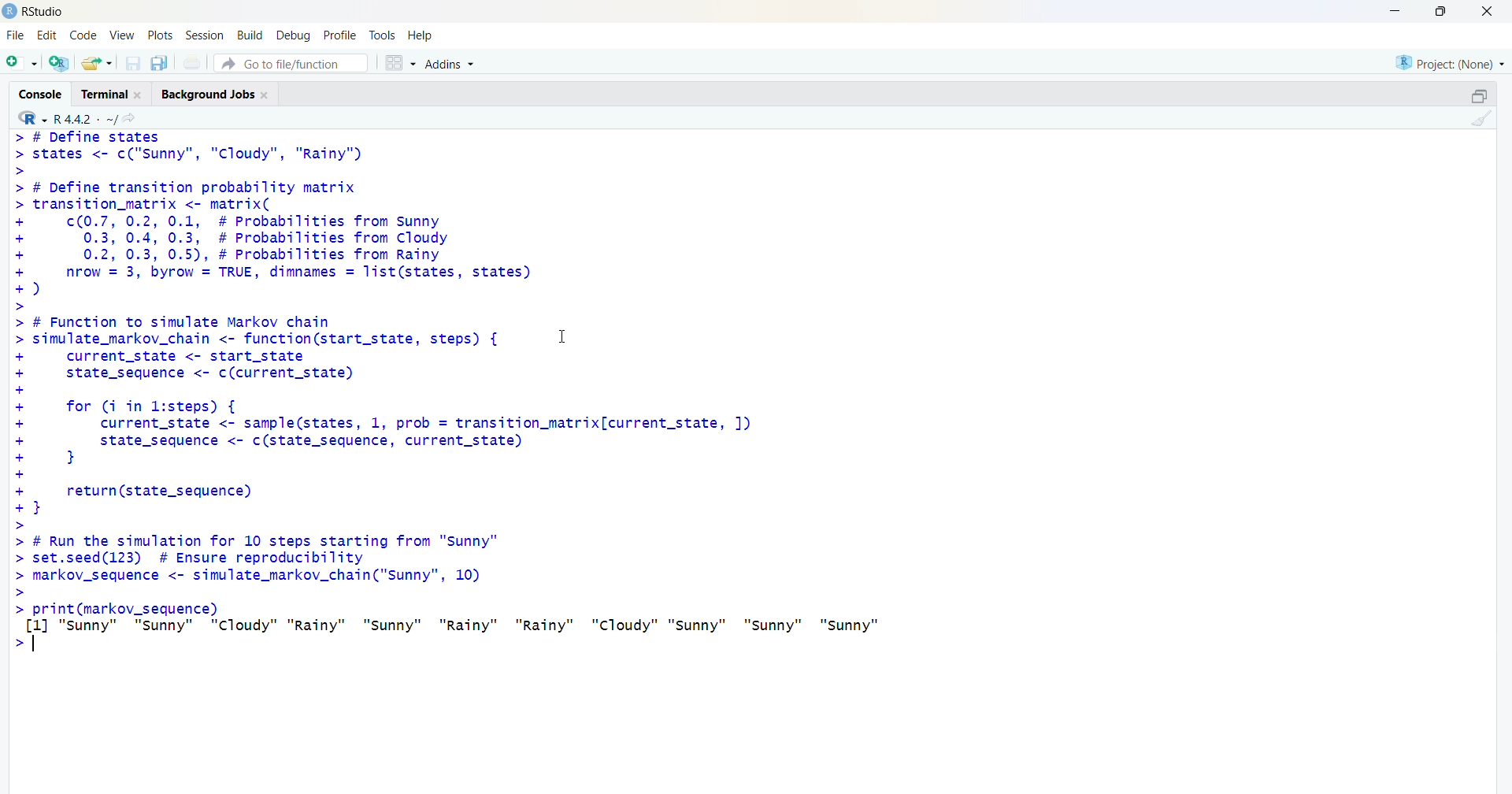  I want to click on console, so click(39, 93).